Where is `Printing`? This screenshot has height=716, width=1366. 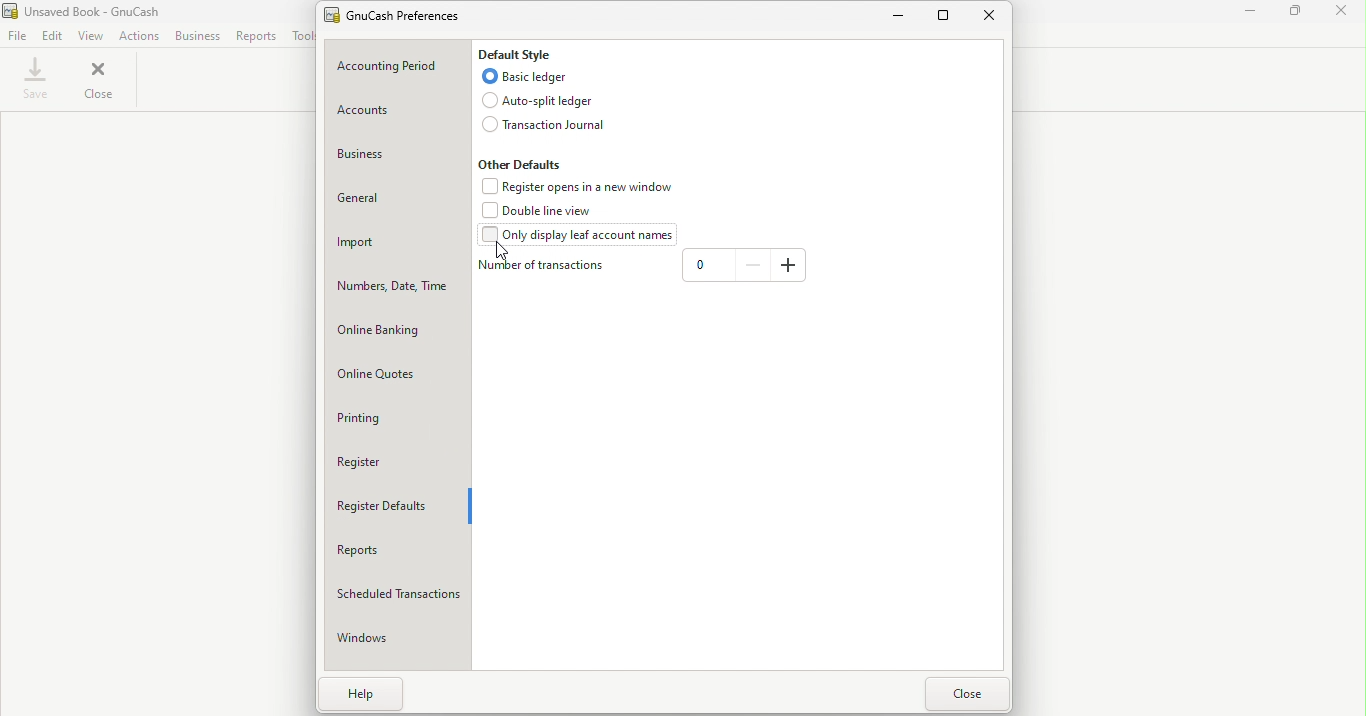 Printing is located at coordinates (396, 419).